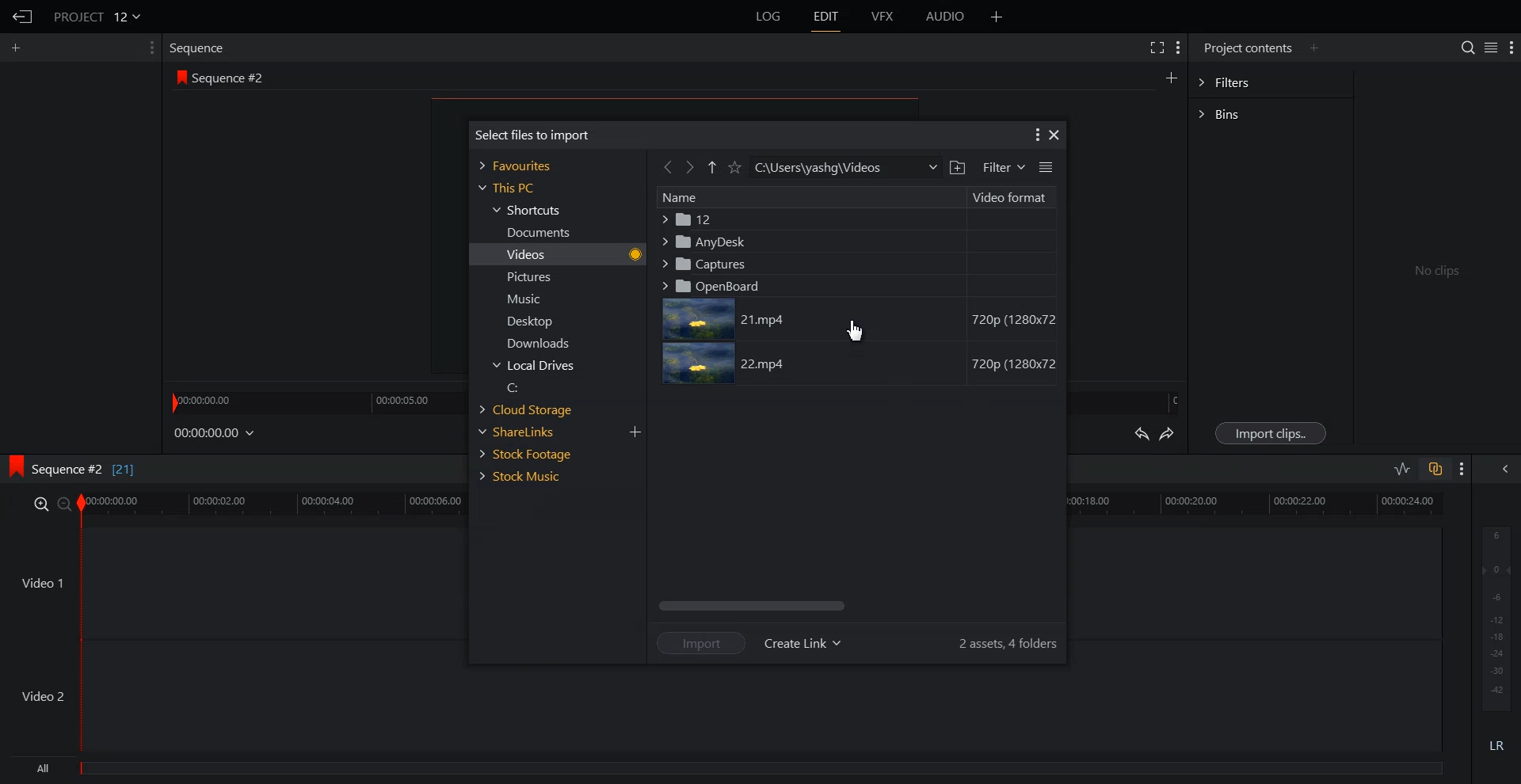 The image size is (1521, 784). What do you see at coordinates (1504, 469) in the screenshot?
I see `Show All audio menu` at bounding box center [1504, 469].